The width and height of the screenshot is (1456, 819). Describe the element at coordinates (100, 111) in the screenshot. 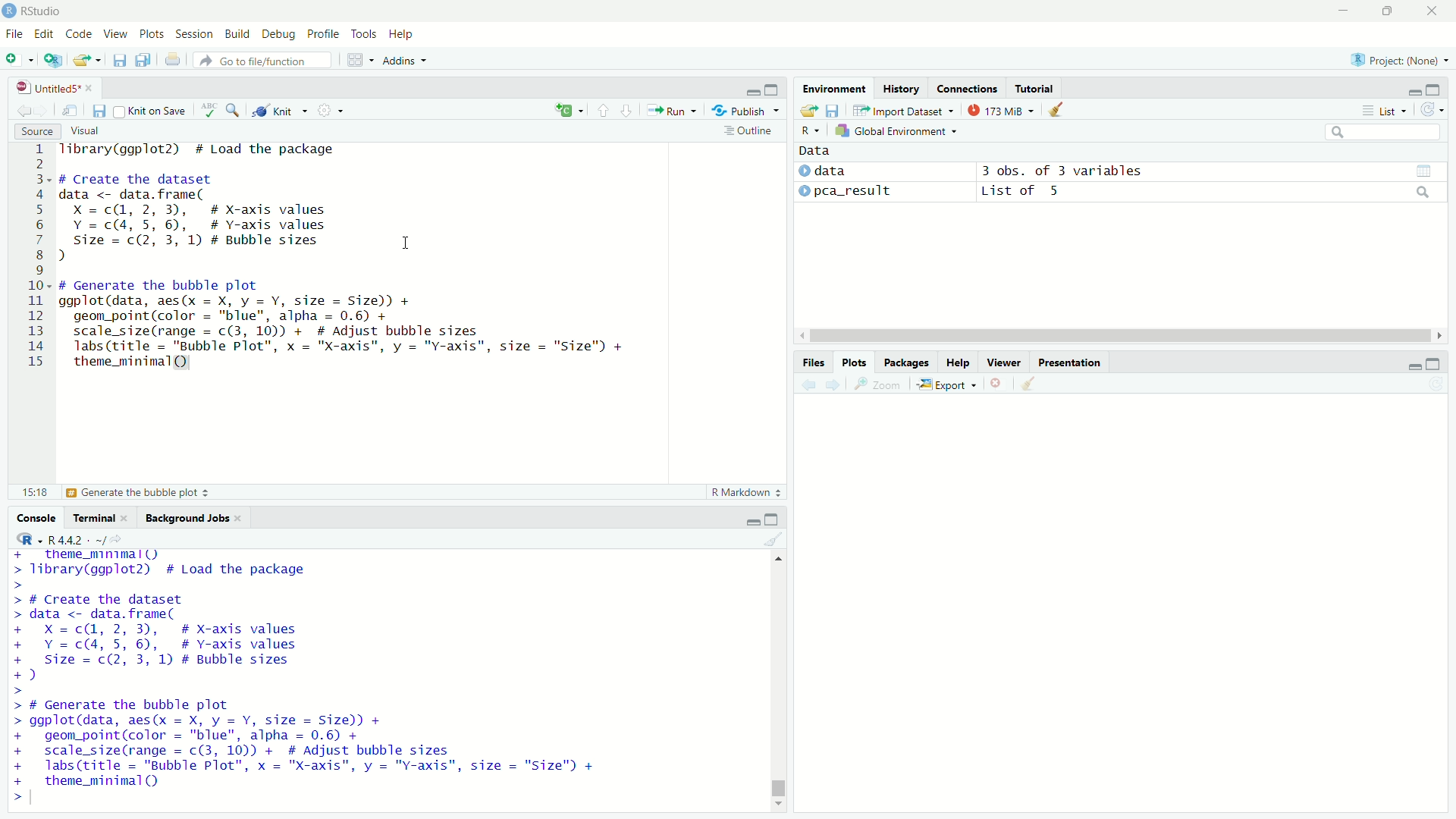

I see `save` at that location.